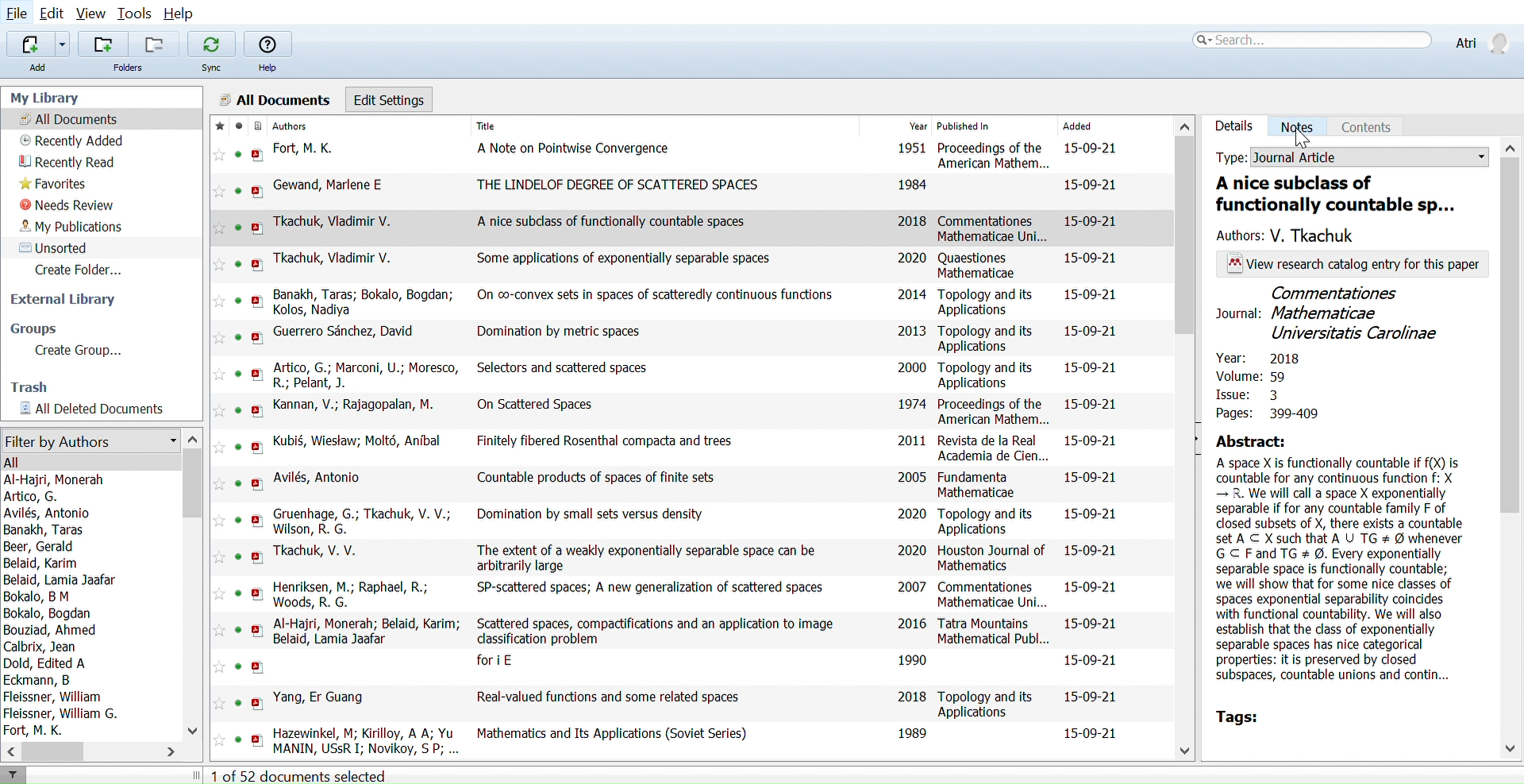  What do you see at coordinates (329, 186) in the screenshot?
I see `Gewand, Marlene E` at bounding box center [329, 186].